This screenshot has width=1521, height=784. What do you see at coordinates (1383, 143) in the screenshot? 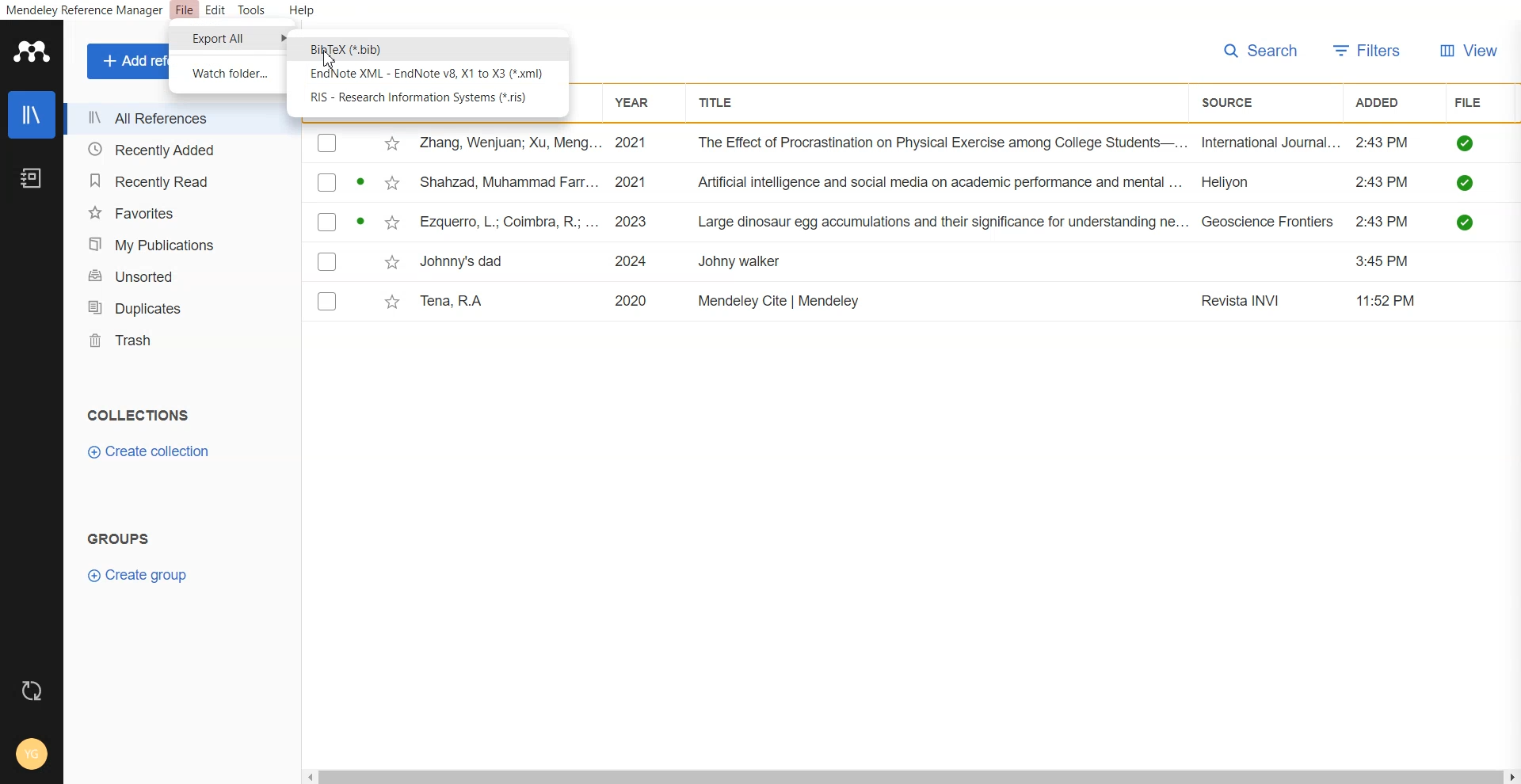
I see `2:43PM` at bounding box center [1383, 143].